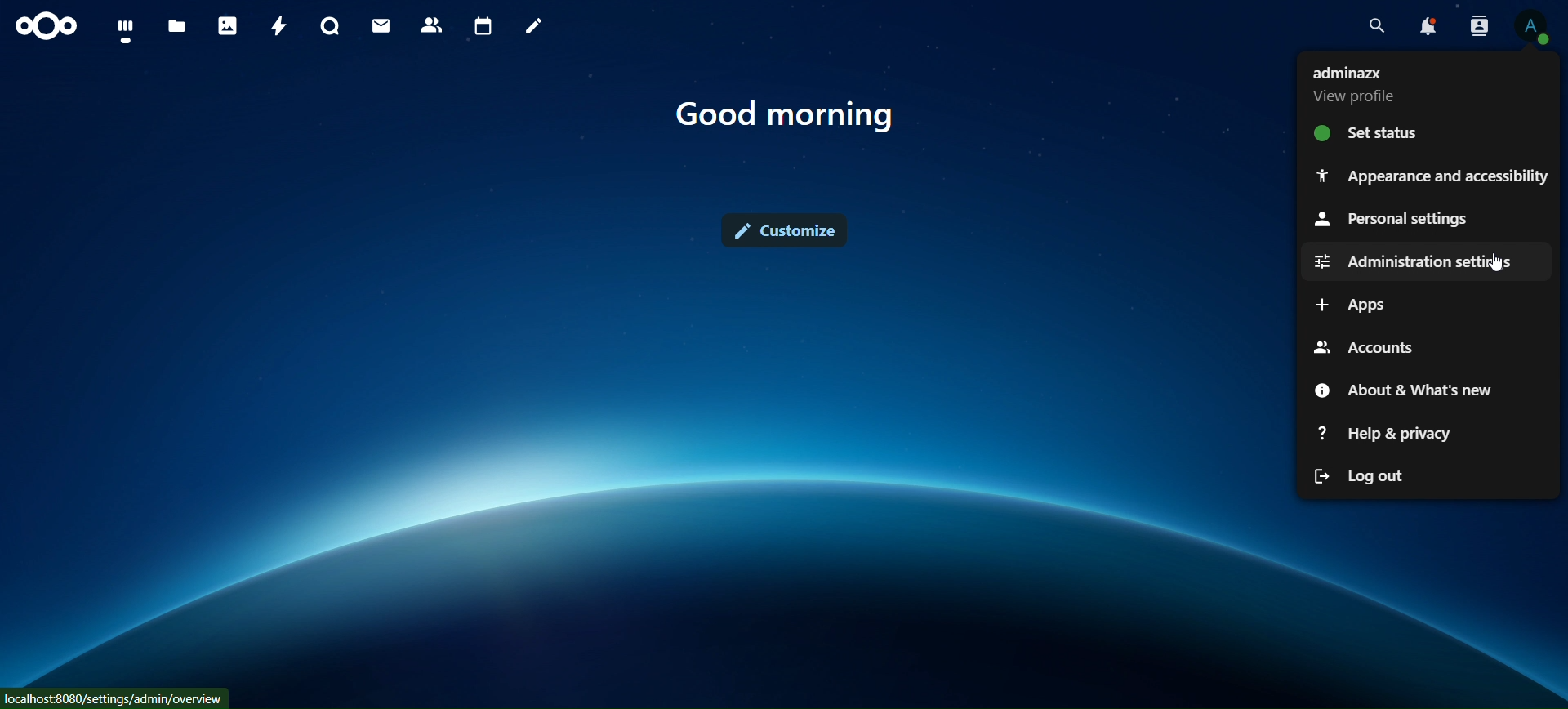  What do you see at coordinates (118, 698) in the screenshot?
I see `Iocalhost-8080 /settings /admin/overview` at bounding box center [118, 698].